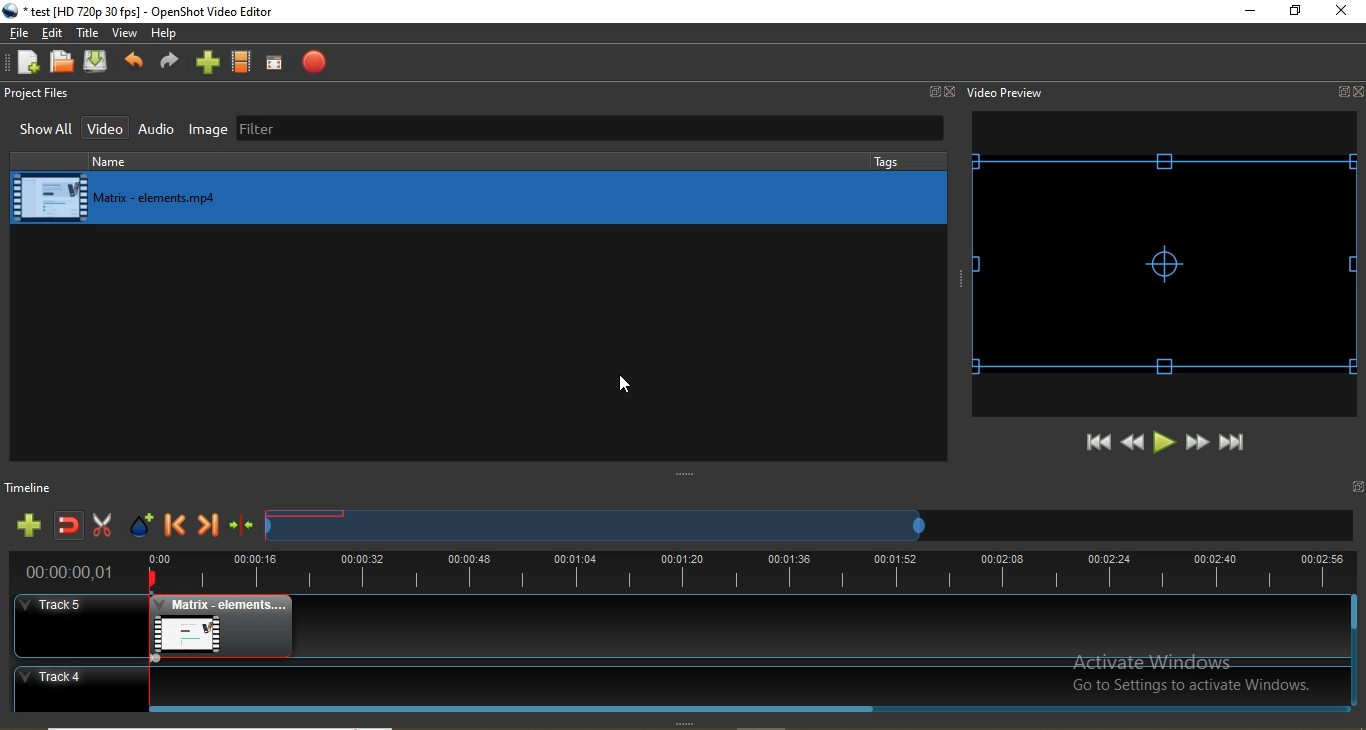 This screenshot has width=1366, height=730. I want to click on Track, so click(671, 683).